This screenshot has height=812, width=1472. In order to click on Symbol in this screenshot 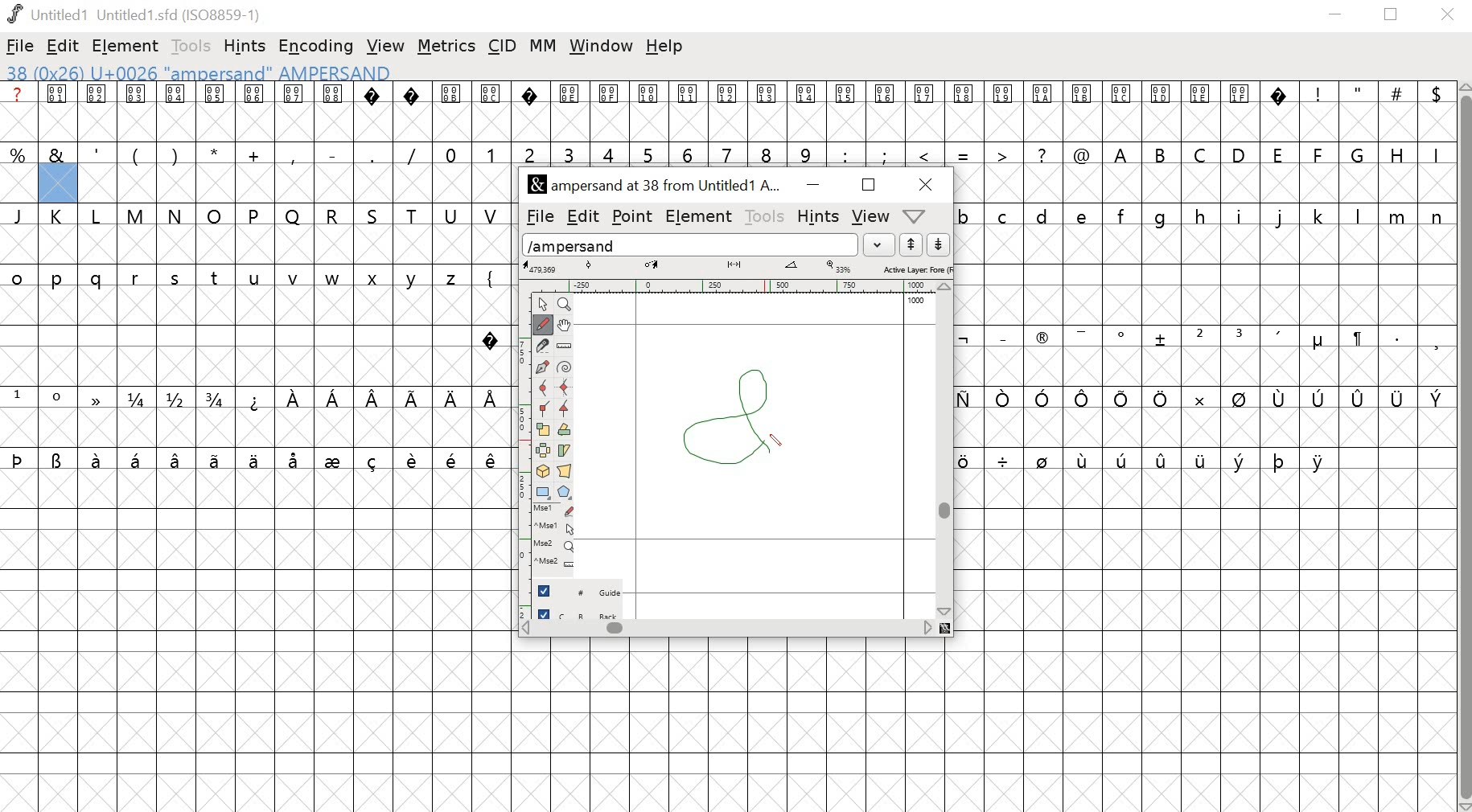, I will do `click(1318, 342)`.